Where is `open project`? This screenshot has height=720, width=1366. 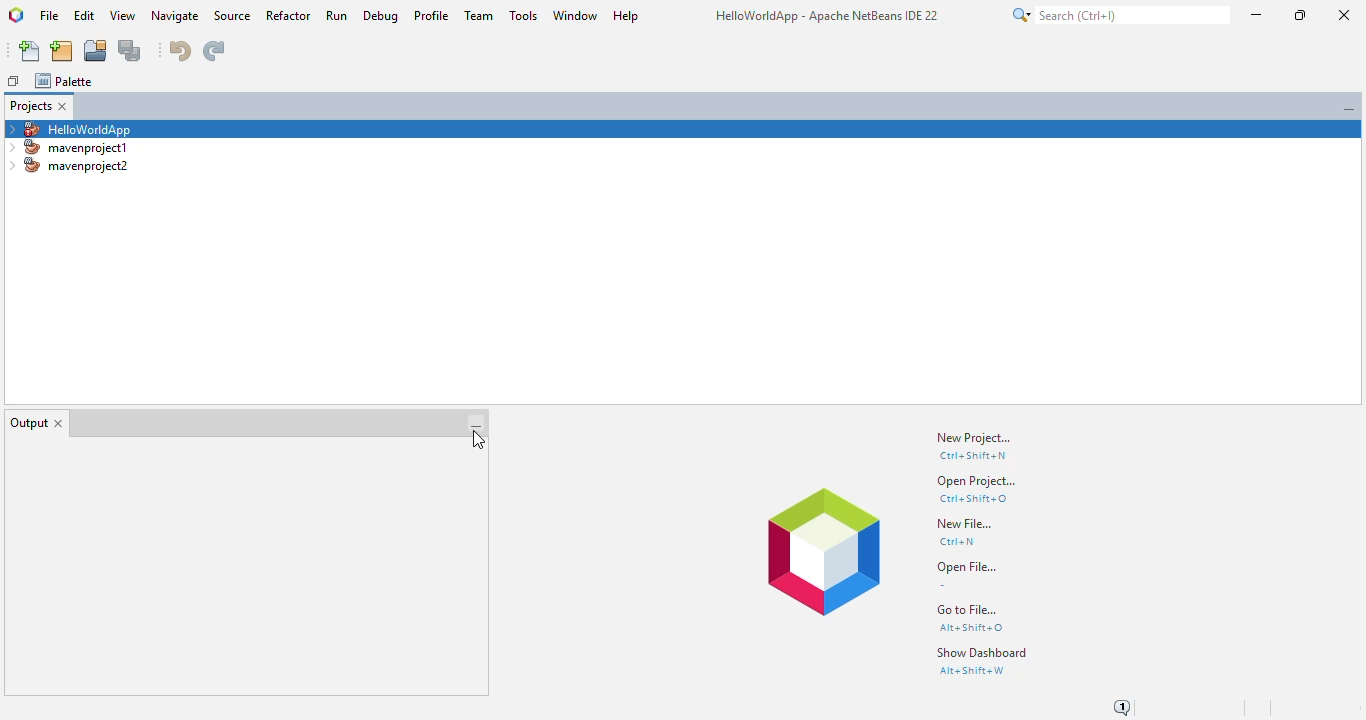
open project is located at coordinates (976, 481).